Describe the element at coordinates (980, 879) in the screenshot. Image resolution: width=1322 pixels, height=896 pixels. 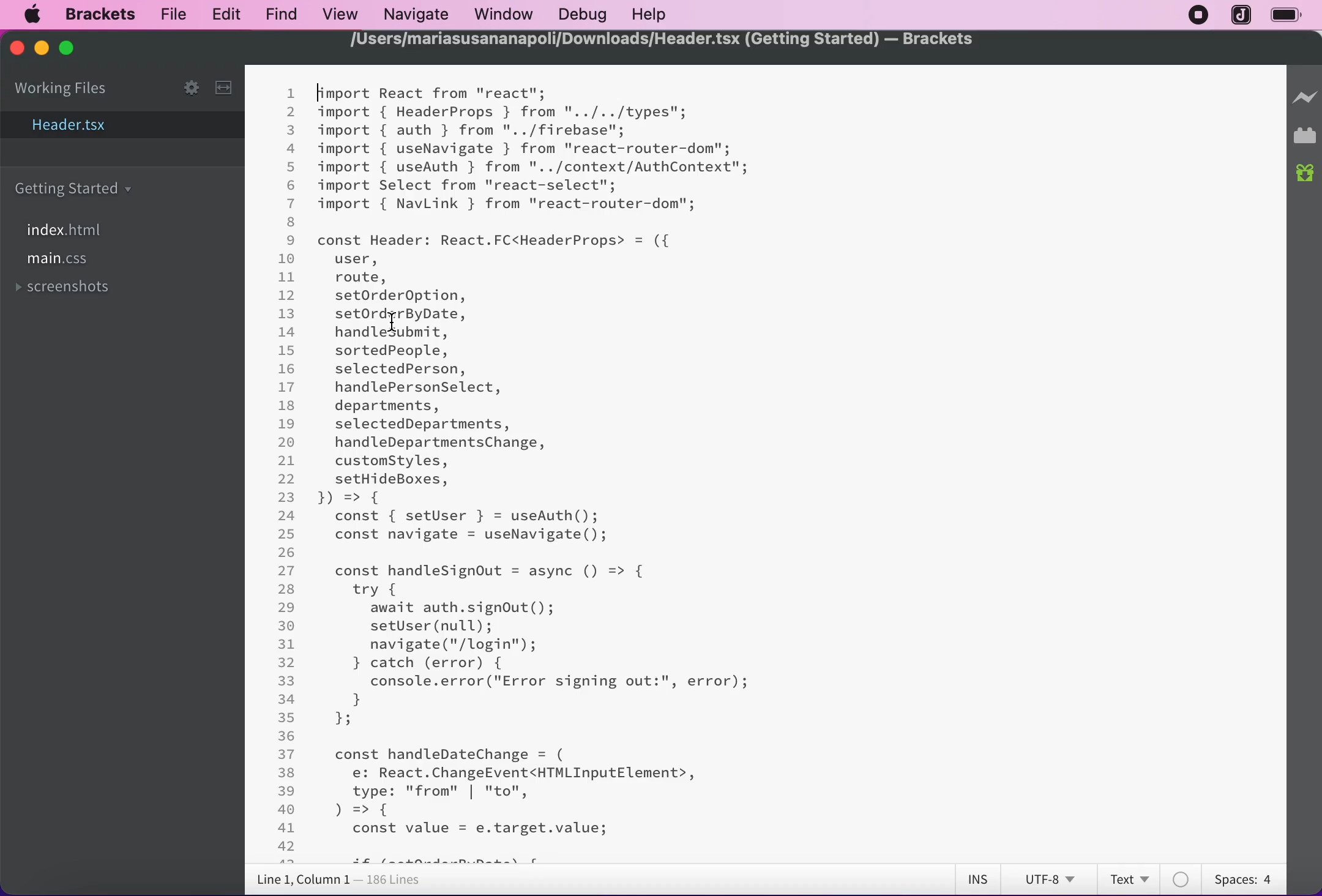
I see `ins` at that location.